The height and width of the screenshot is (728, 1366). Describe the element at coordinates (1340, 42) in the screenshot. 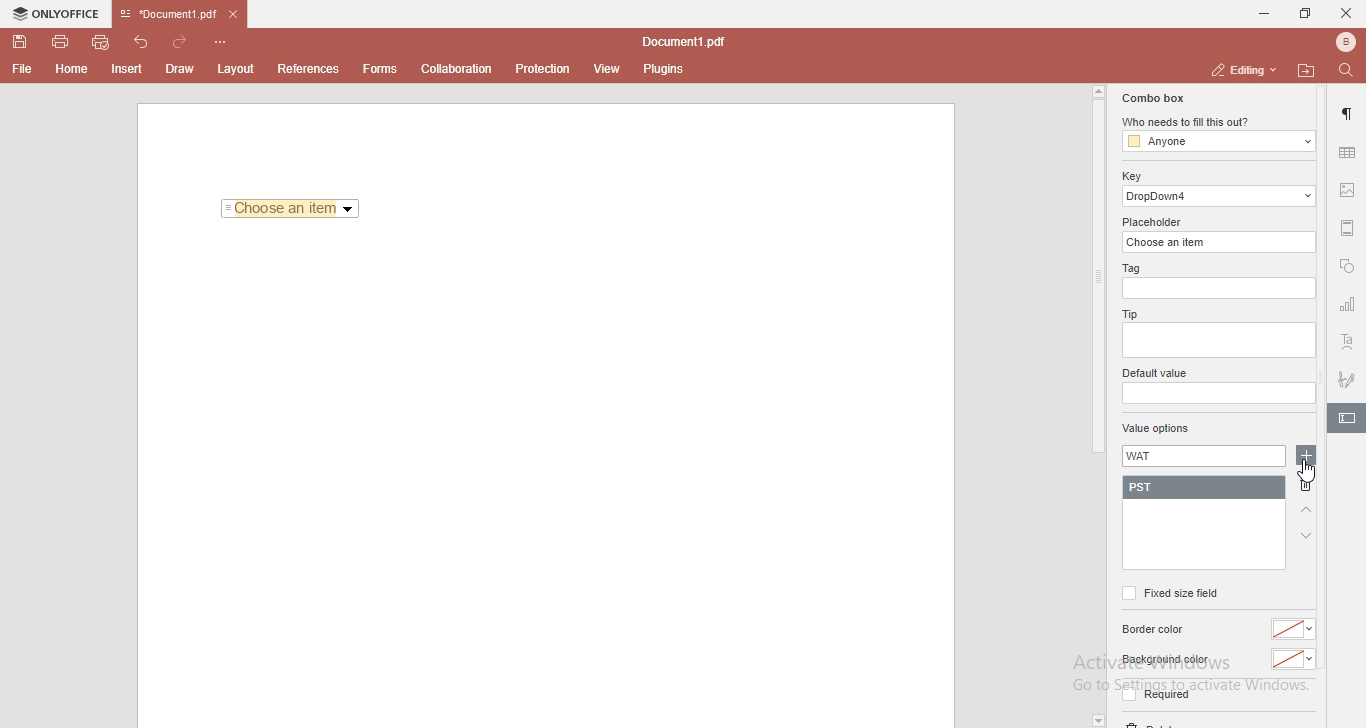

I see `bluetooth` at that location.